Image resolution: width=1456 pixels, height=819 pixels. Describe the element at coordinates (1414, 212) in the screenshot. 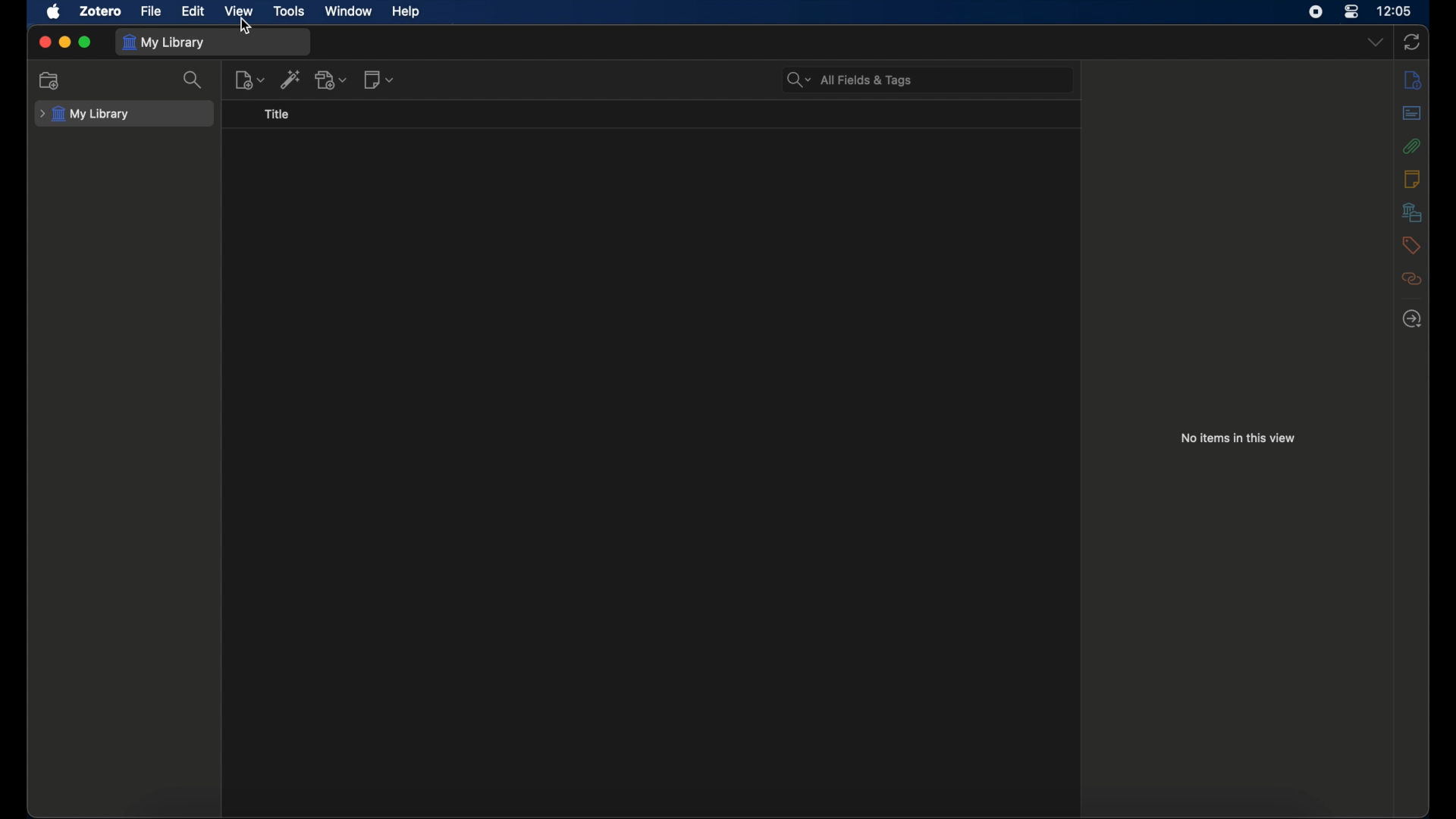

I see `libraries` at that location.